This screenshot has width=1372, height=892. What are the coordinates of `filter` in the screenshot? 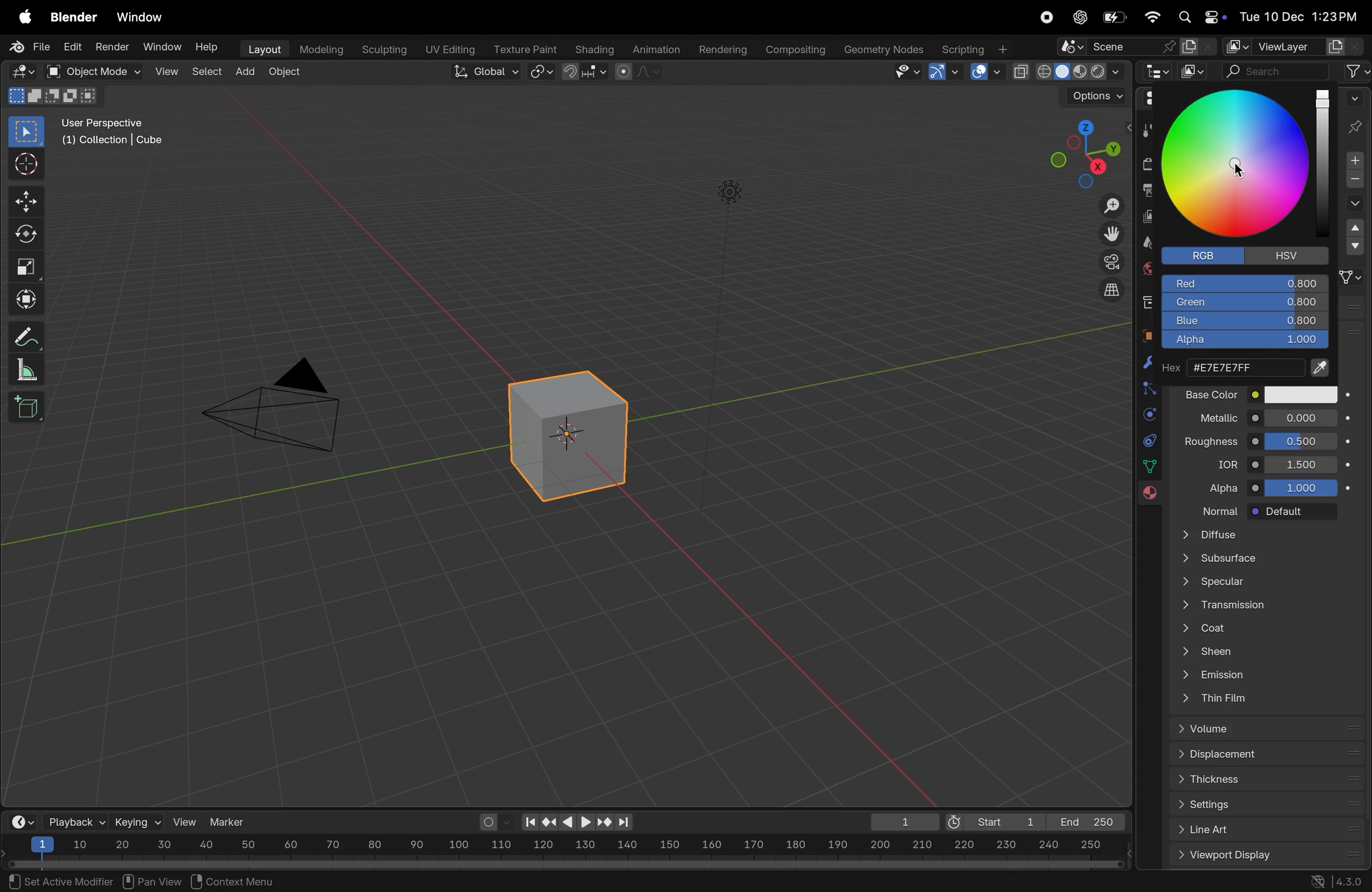 It's located at (1356, 71).